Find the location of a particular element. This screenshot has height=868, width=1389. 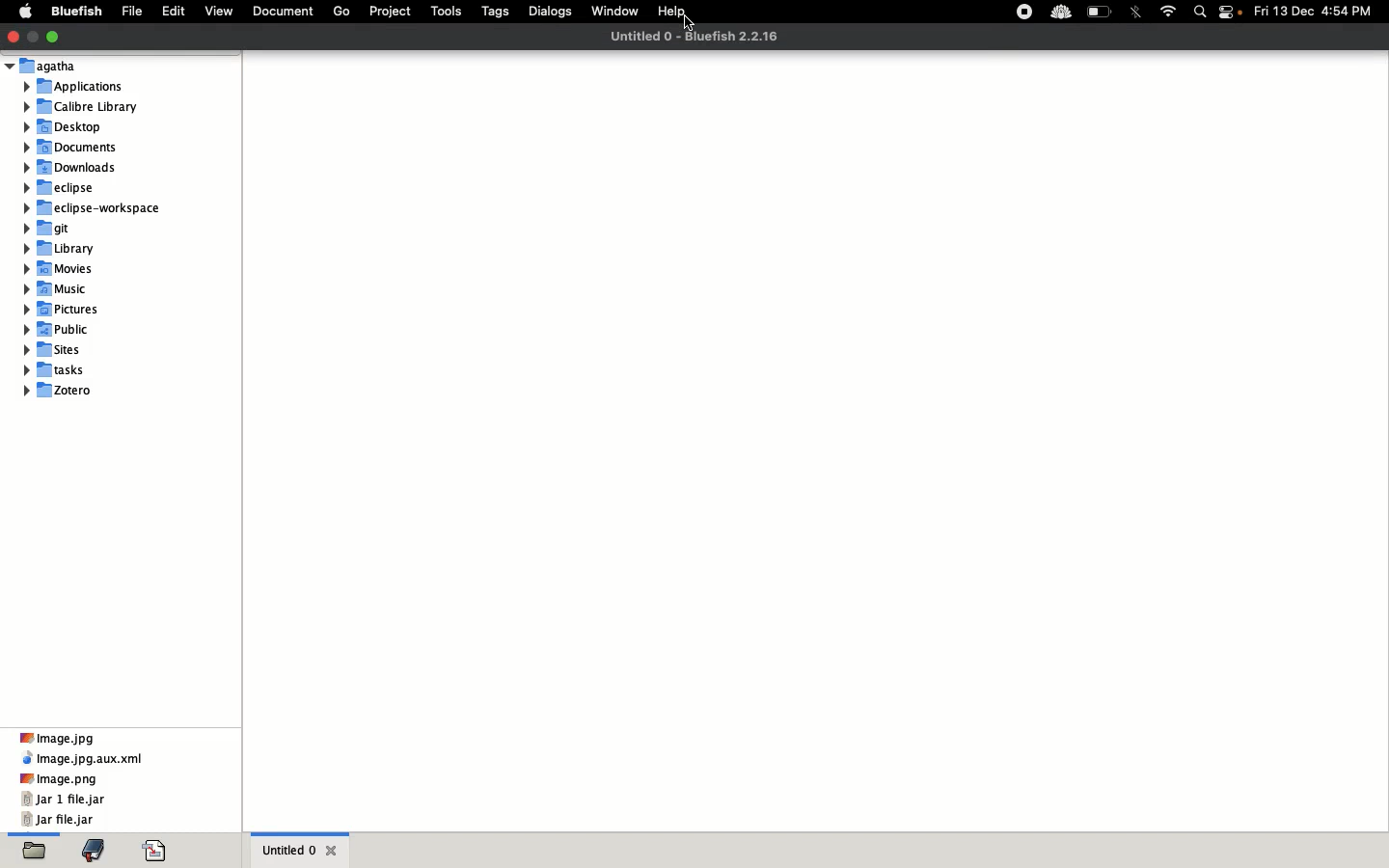

pictures is located at coordinates (69, 309).